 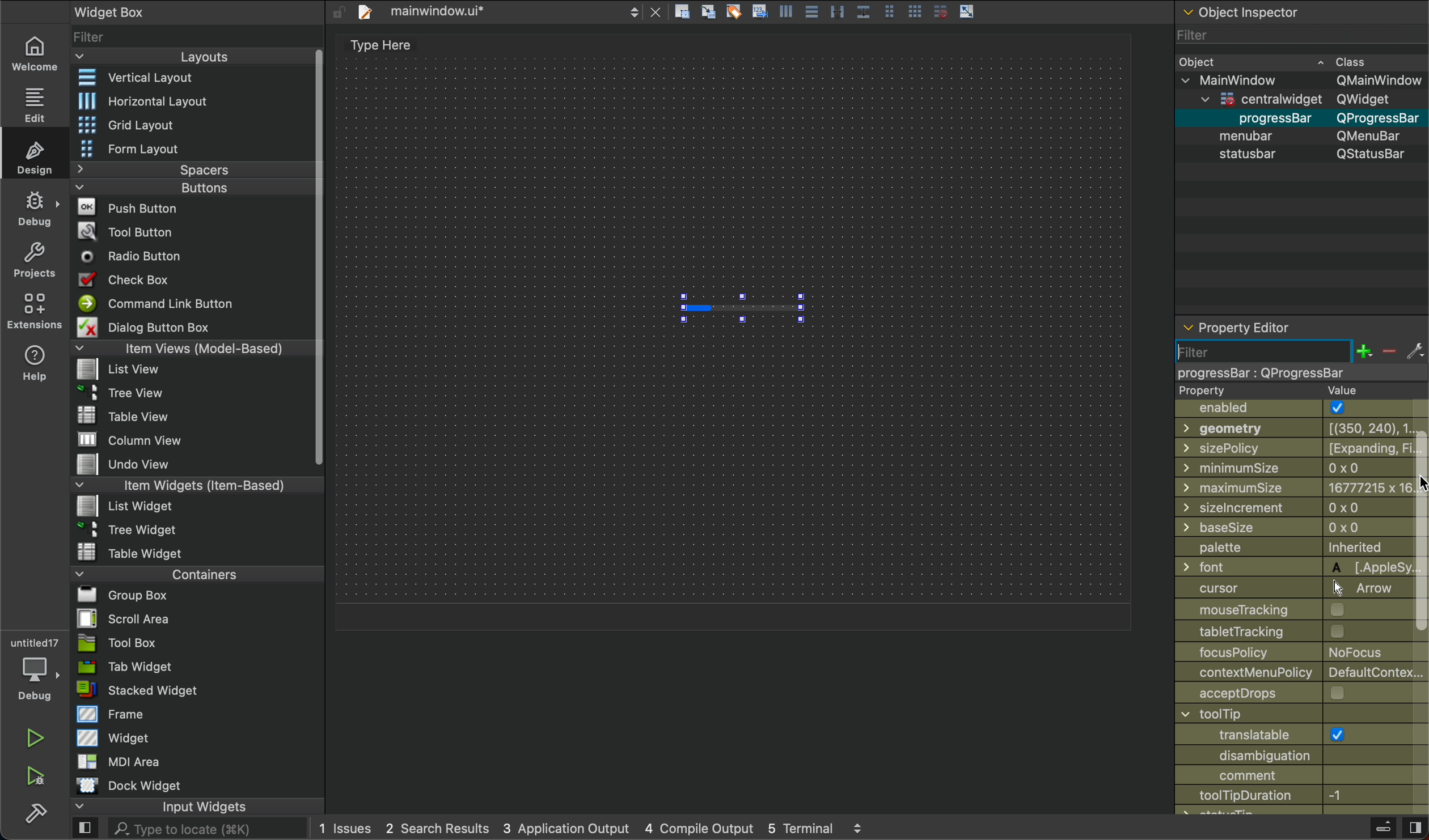 I want to click on text, so click(x=384, y=45).